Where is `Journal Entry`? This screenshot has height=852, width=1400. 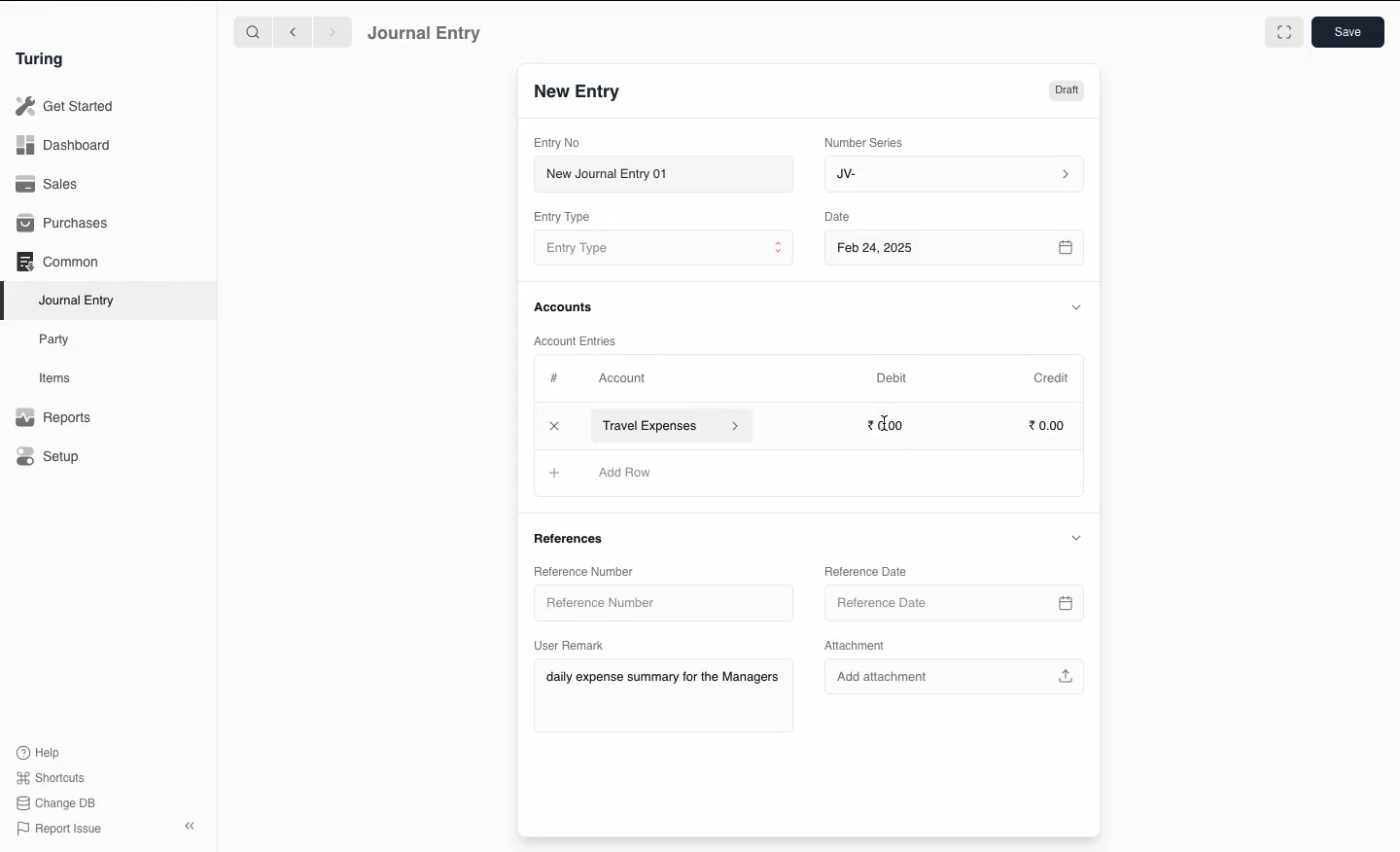
Journal Entry is located at coordinates (426, 34).